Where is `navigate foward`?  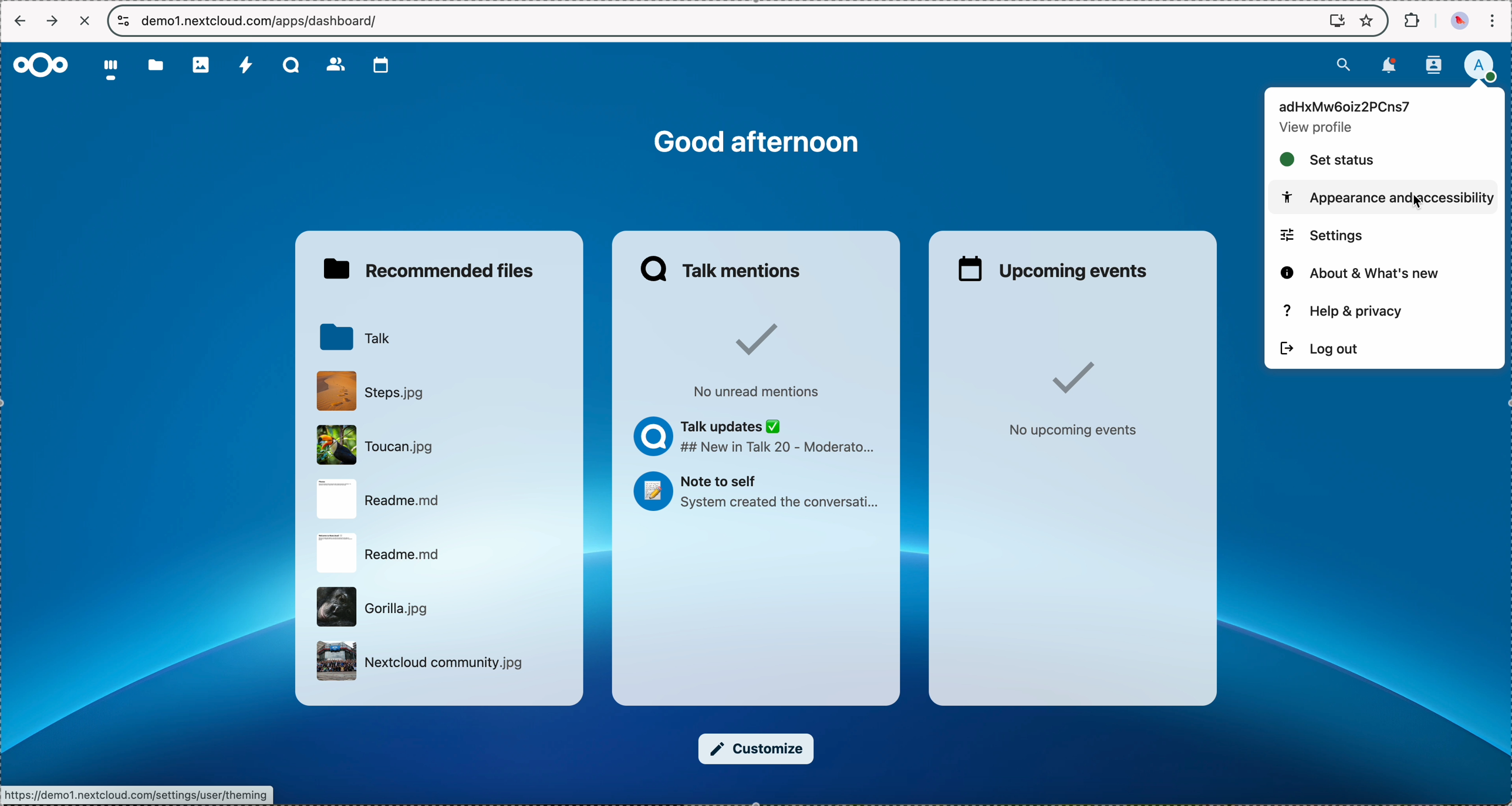
navigate foward is located at coordinates (53, 20).